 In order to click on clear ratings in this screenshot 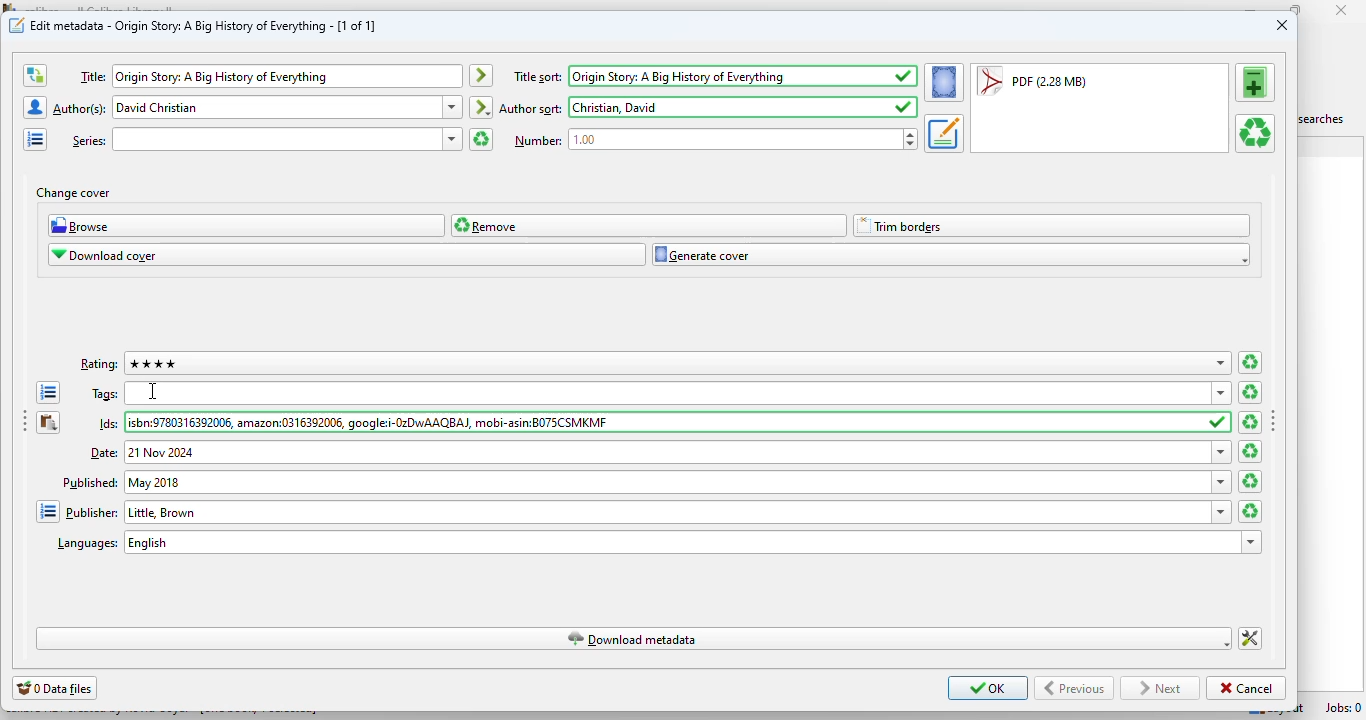, I will do `click(1250, 363)`.